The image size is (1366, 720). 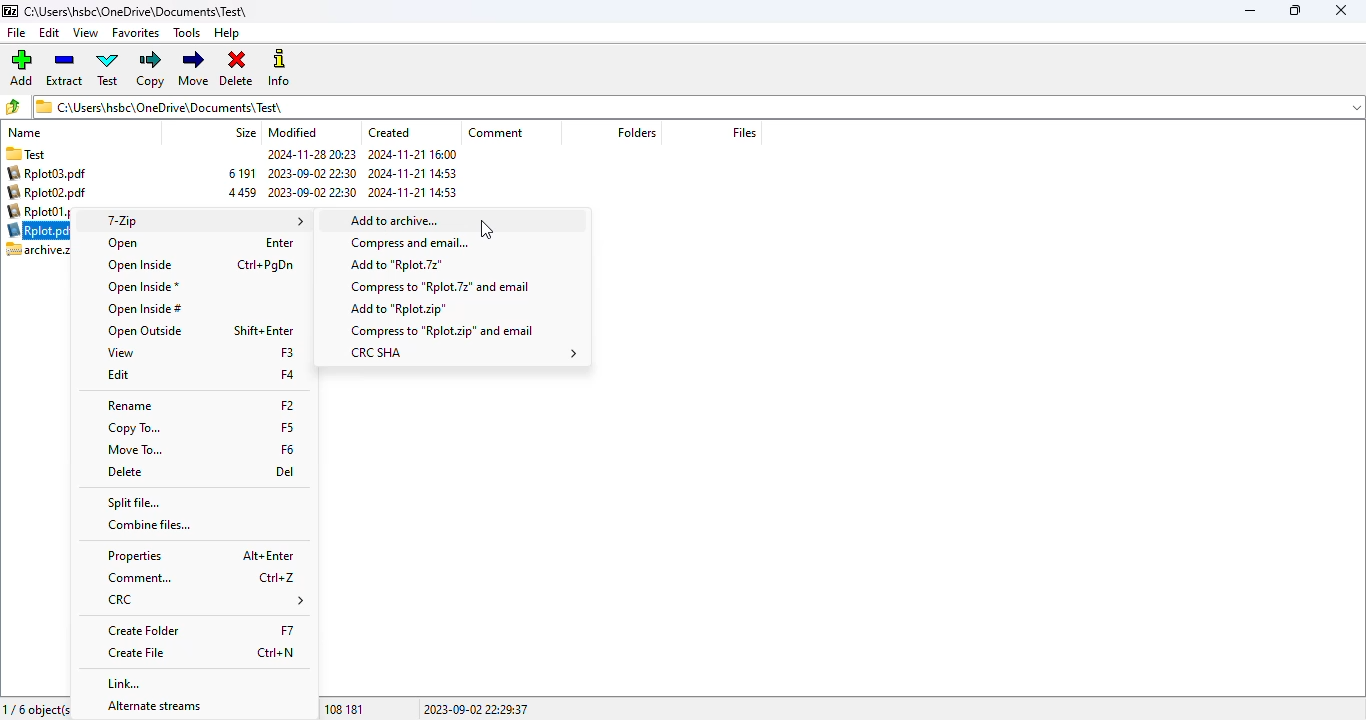 I want to click on open outside, so click(x=147, y=332).